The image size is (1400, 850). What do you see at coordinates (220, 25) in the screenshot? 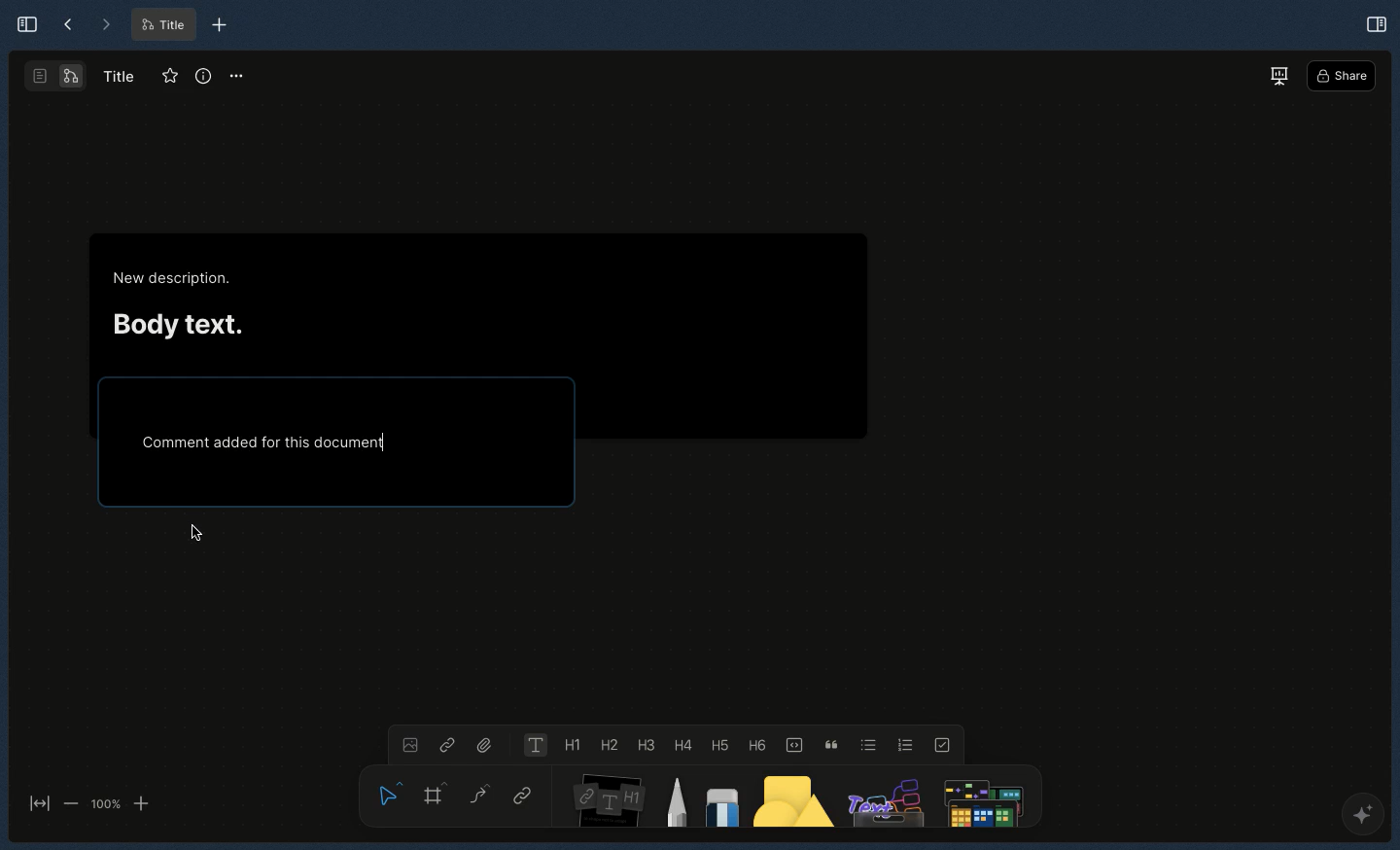
I see `New tab` at bounding box center [220, 25].